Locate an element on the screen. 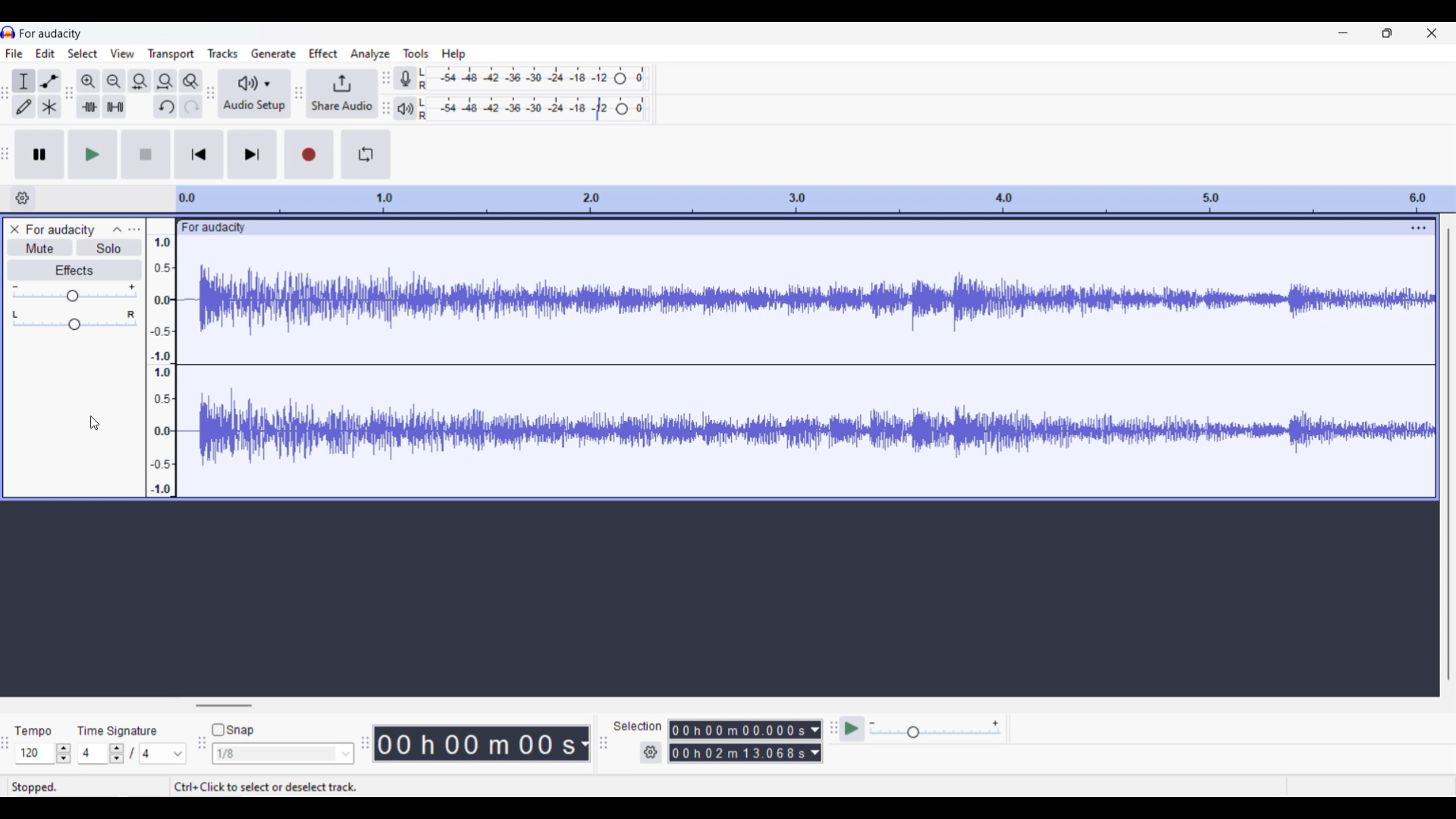 This screenshot has width=1456, height=819. For audacity is located at coordinates (61, 230).